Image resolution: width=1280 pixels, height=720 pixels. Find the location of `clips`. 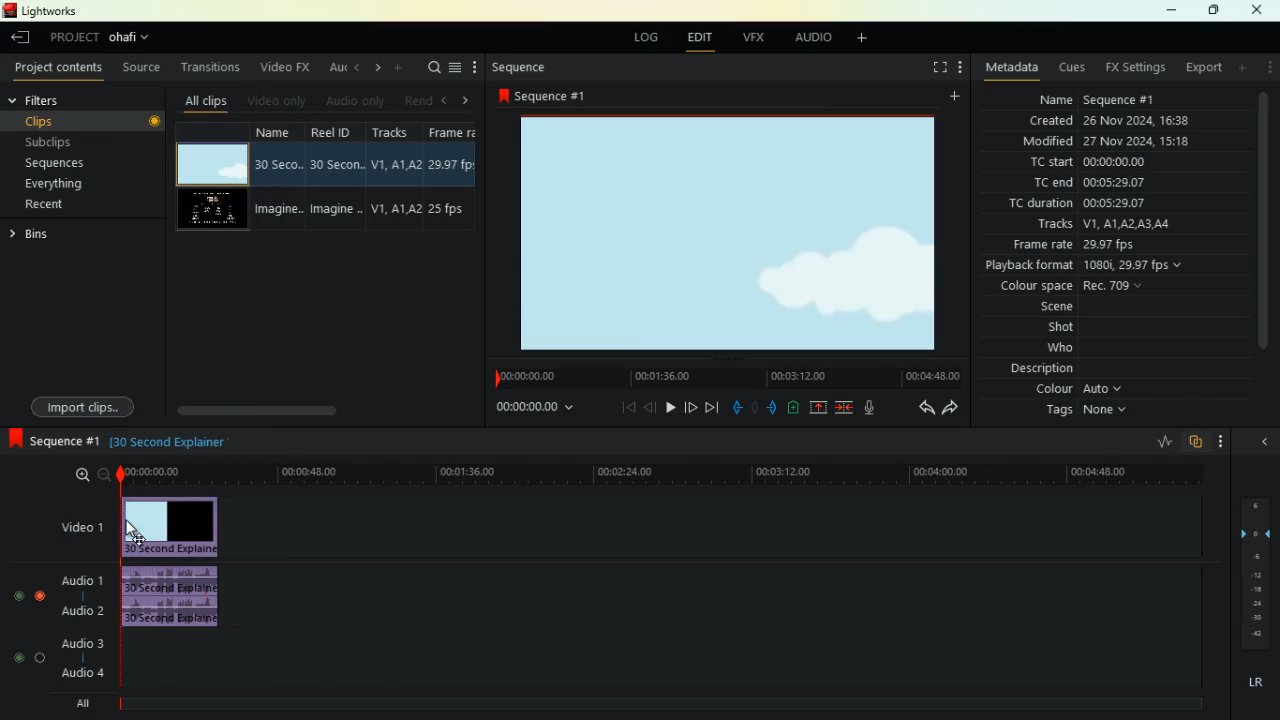

clips is located at coordinates (63, 121).